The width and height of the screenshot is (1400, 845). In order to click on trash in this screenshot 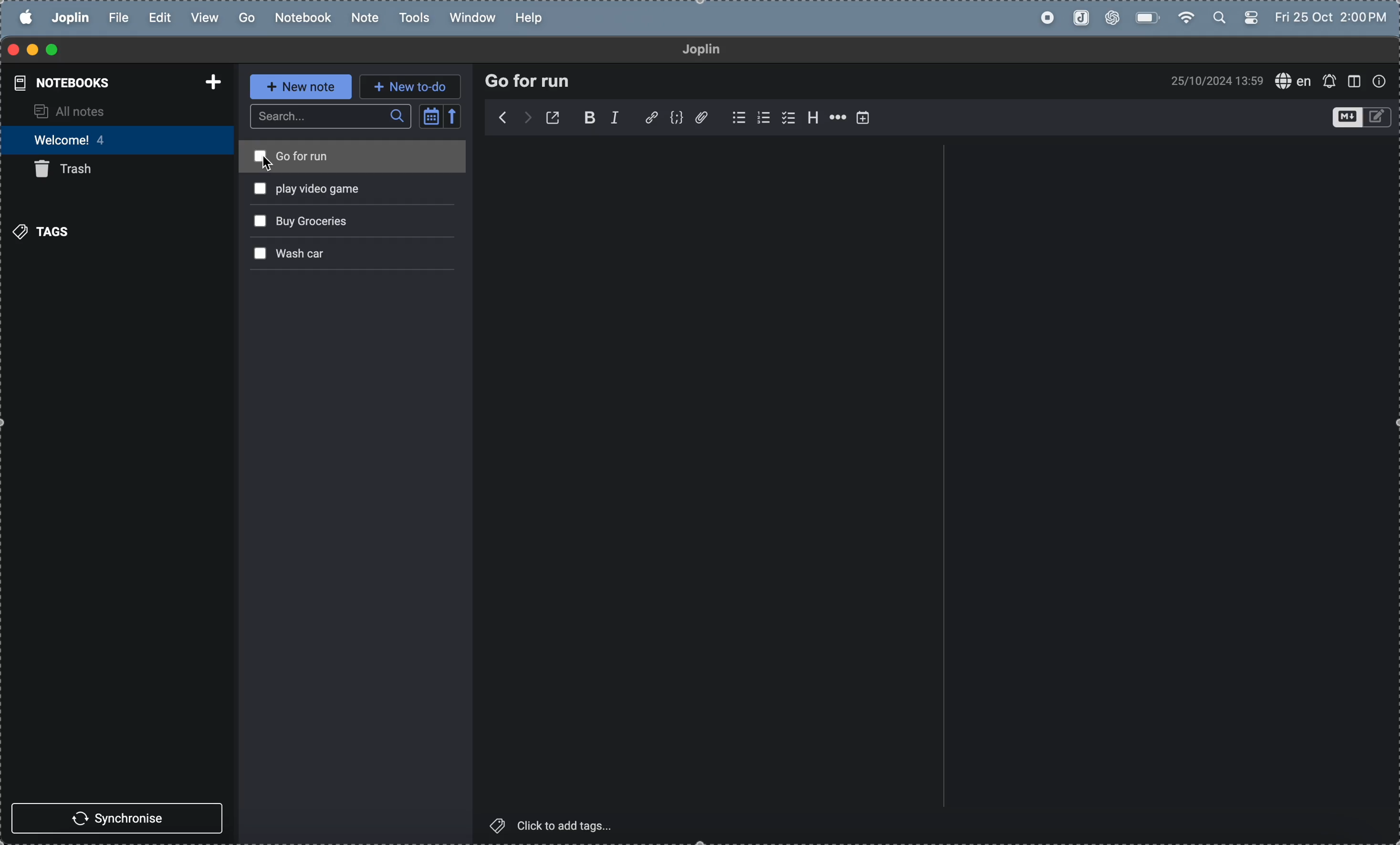, I will do `click(110, 170)`.